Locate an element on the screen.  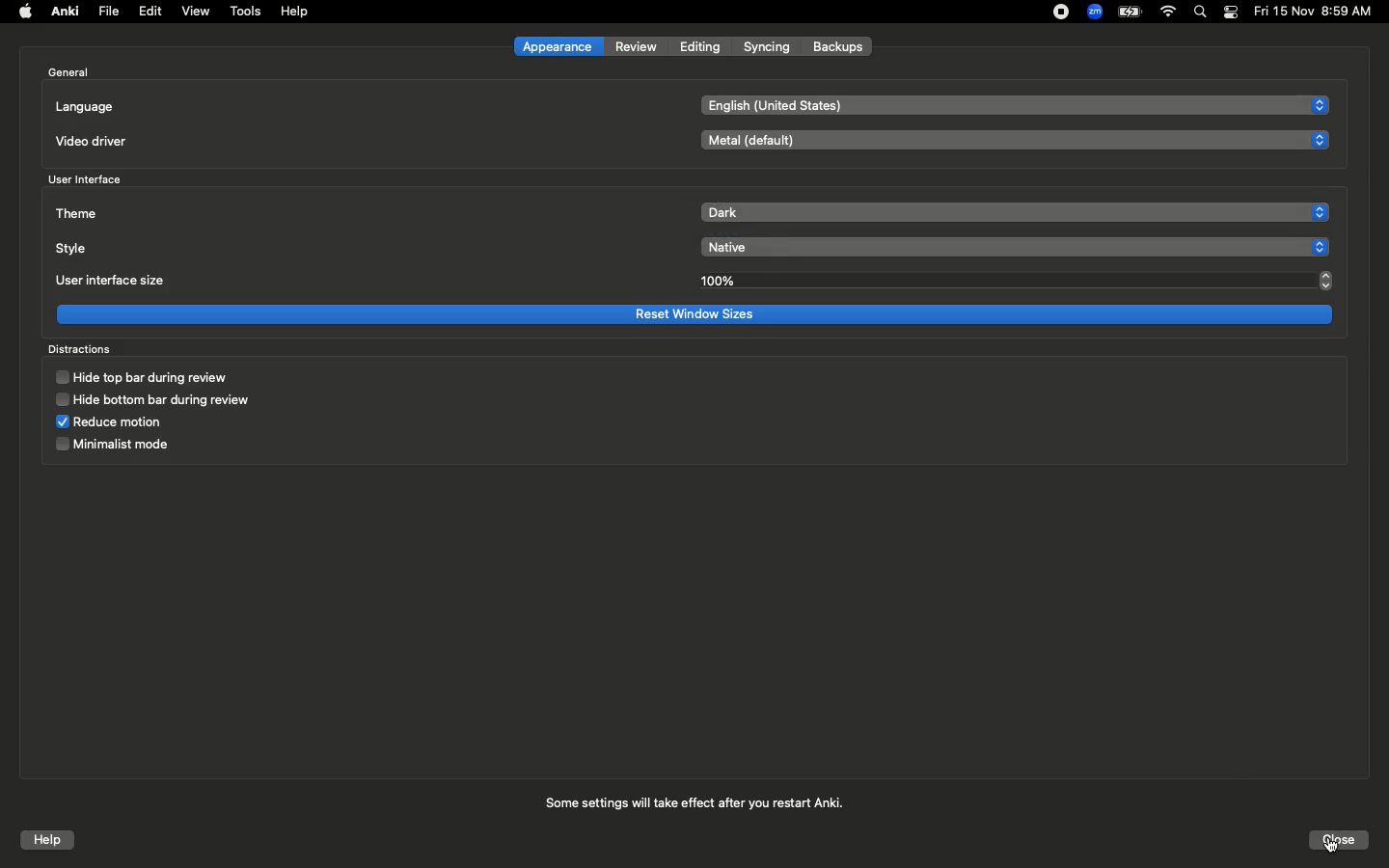
Tools is located at coordinates (244, 12).